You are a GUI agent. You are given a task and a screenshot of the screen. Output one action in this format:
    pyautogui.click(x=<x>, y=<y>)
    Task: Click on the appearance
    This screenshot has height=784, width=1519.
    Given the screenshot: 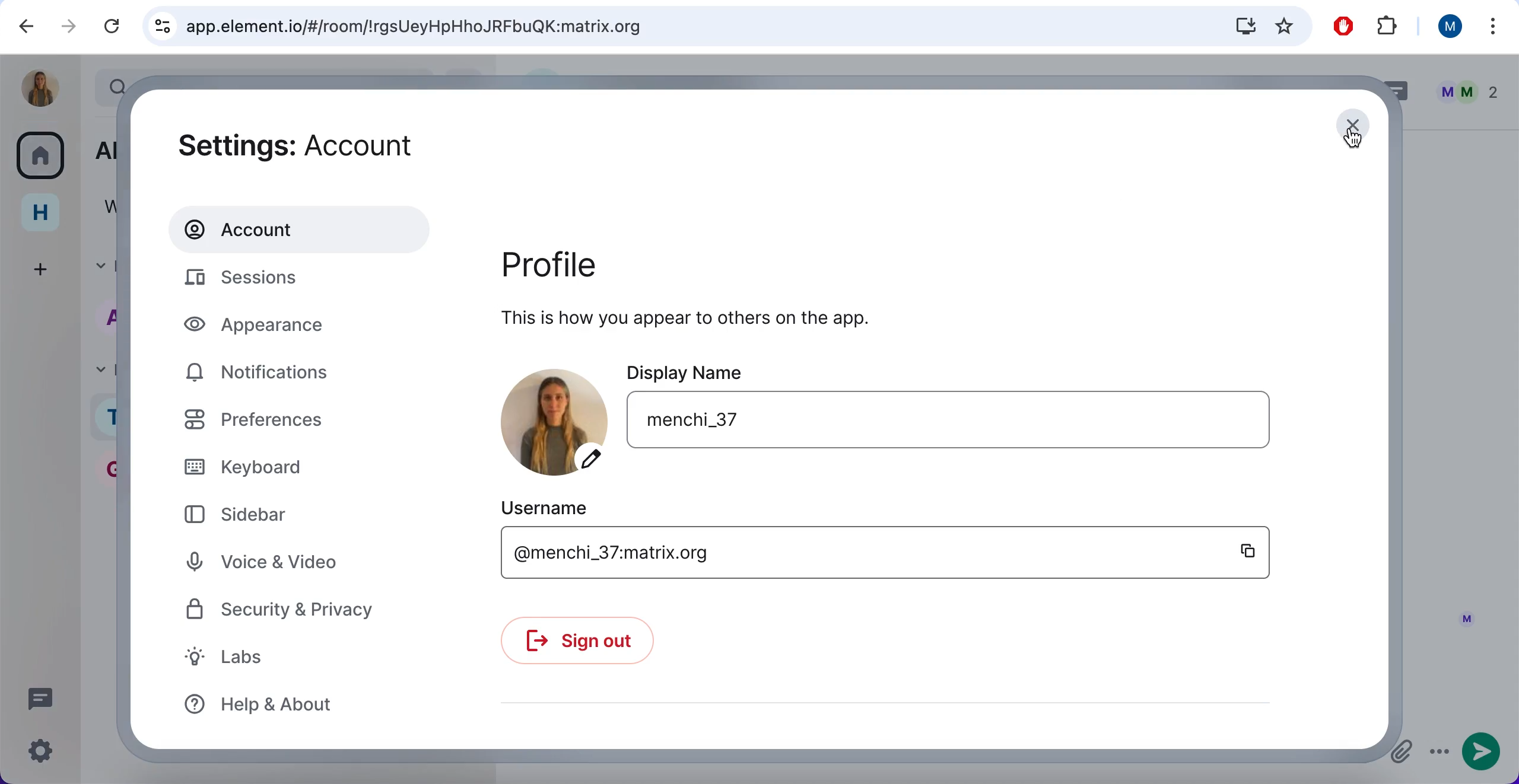 What is the action you would take?
    pyautogui.click(x=281, y=328)
    